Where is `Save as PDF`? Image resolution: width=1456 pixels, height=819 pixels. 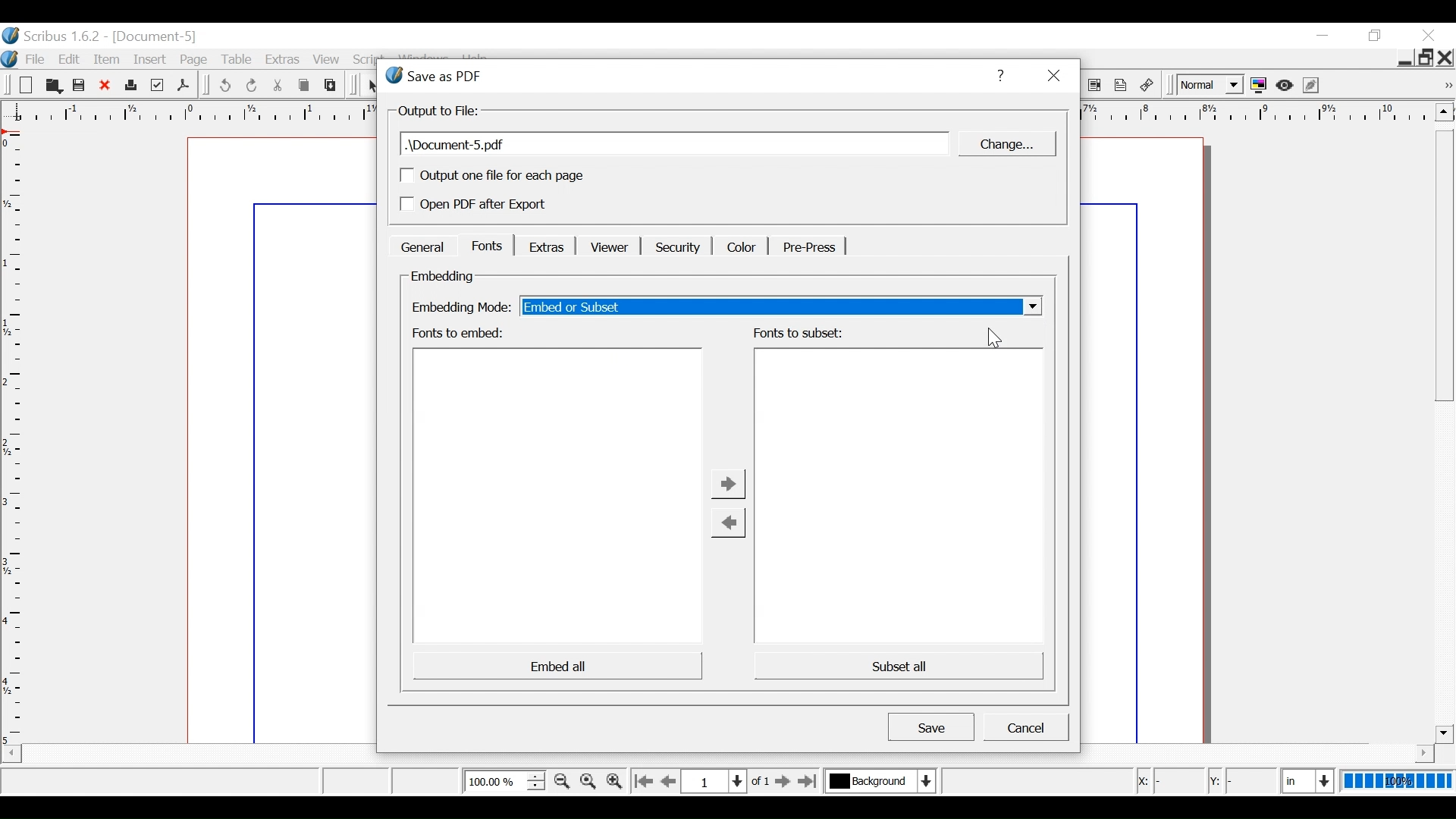 Save as PDF is located at coordinates (670, 75).